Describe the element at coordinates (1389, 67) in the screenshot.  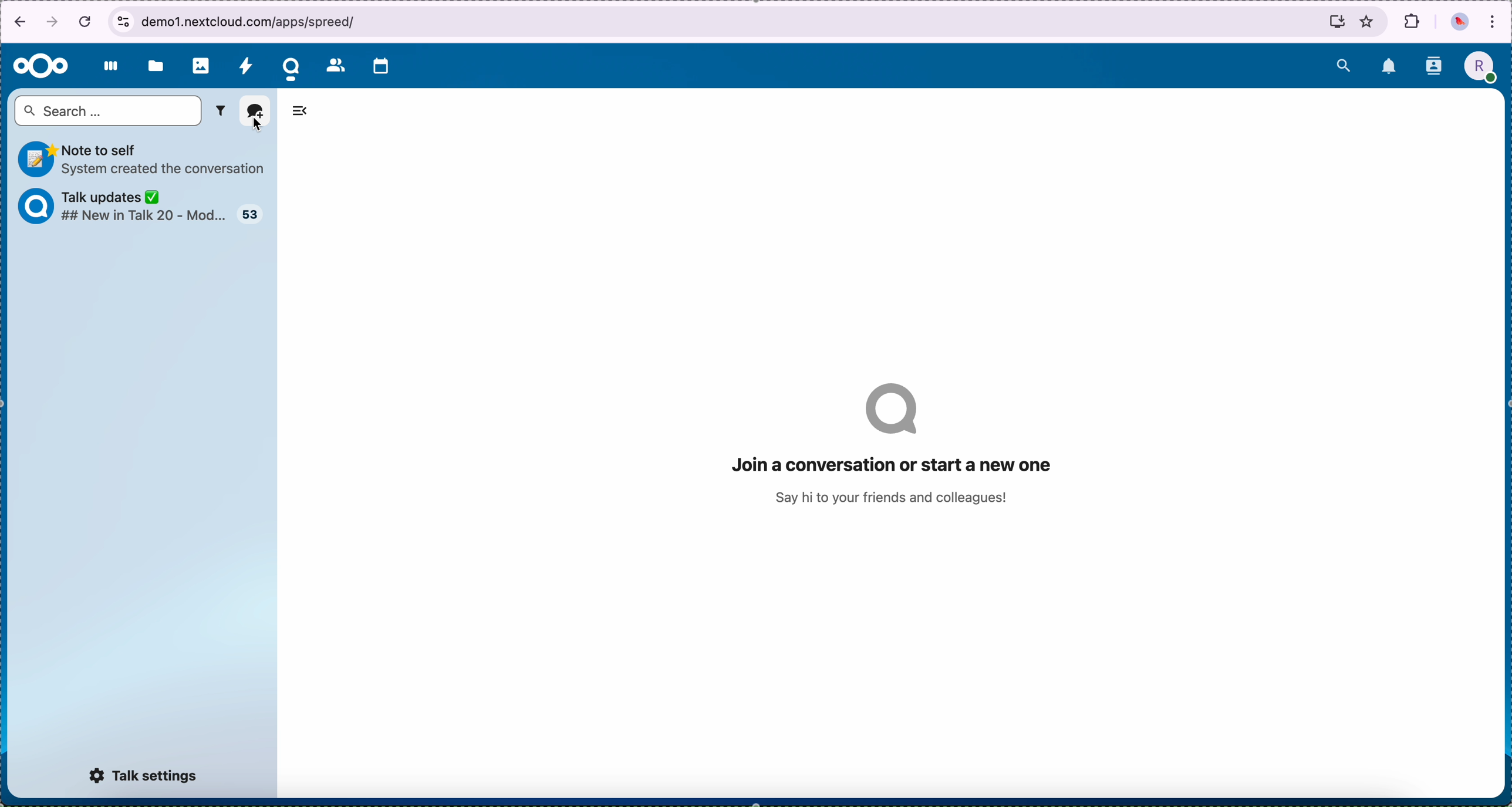
I see `notifications` at that location.